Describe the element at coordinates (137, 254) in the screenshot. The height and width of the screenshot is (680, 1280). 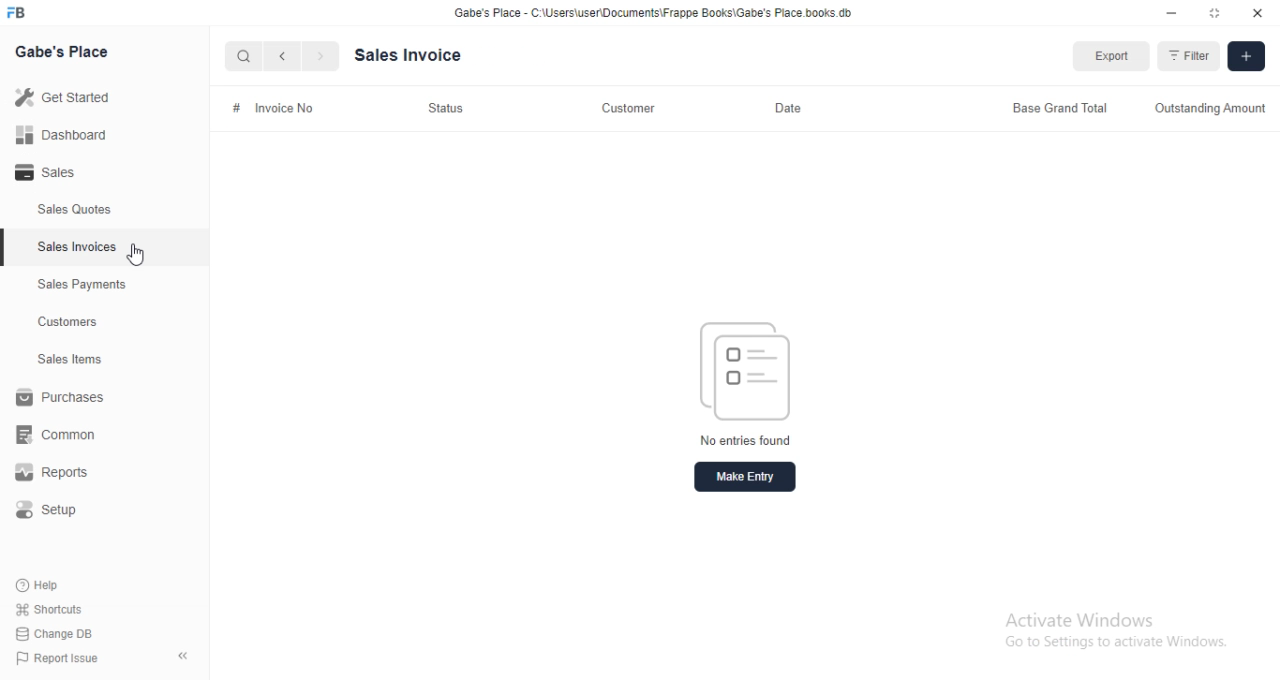
I see `Cursor` at that location.